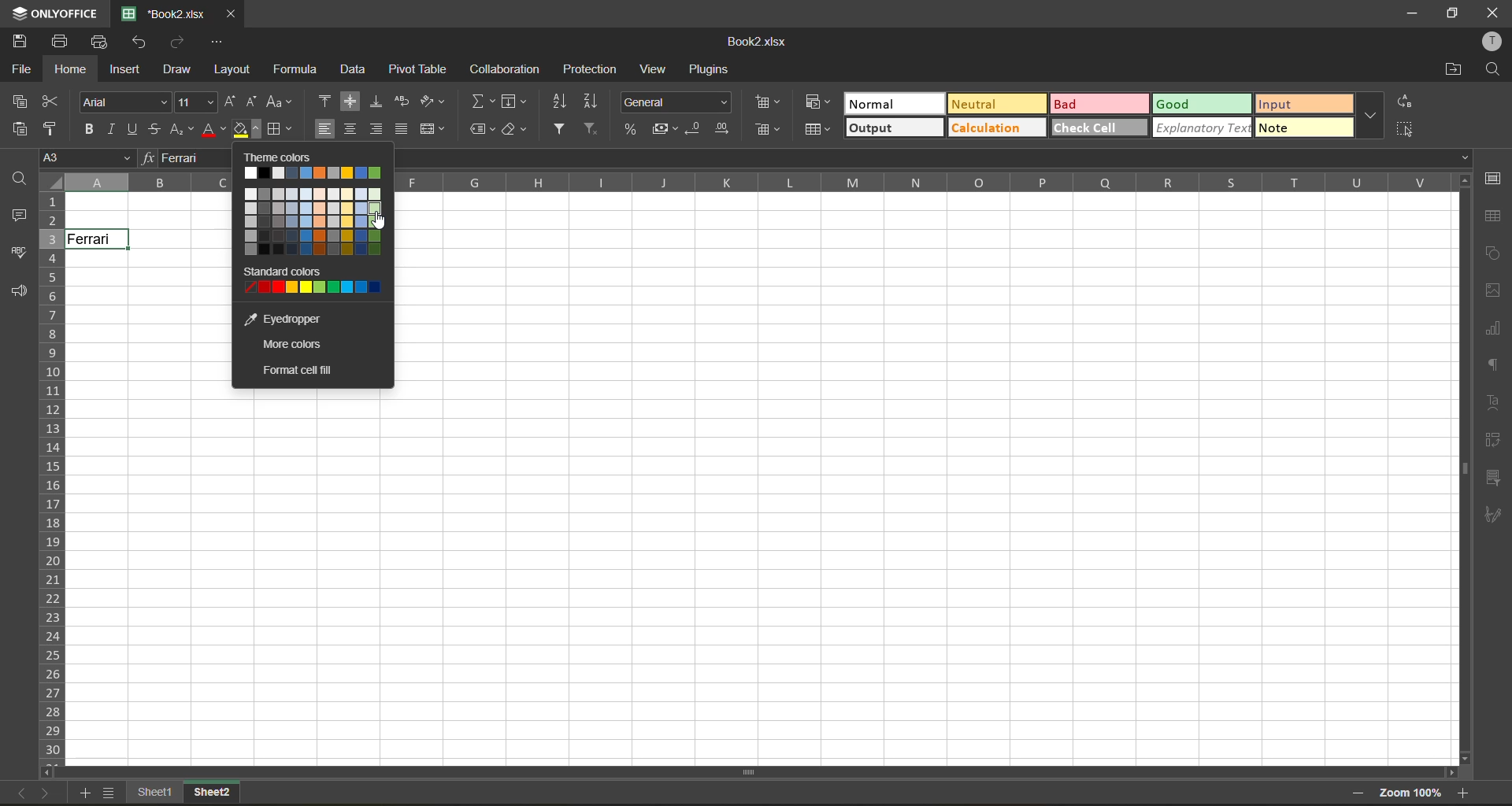 The height and width of the screenshot is (806, 1512). What do you see at coordinates (754, 183) in the screenshot?
I see `column names` at bounding box center [754, 183].